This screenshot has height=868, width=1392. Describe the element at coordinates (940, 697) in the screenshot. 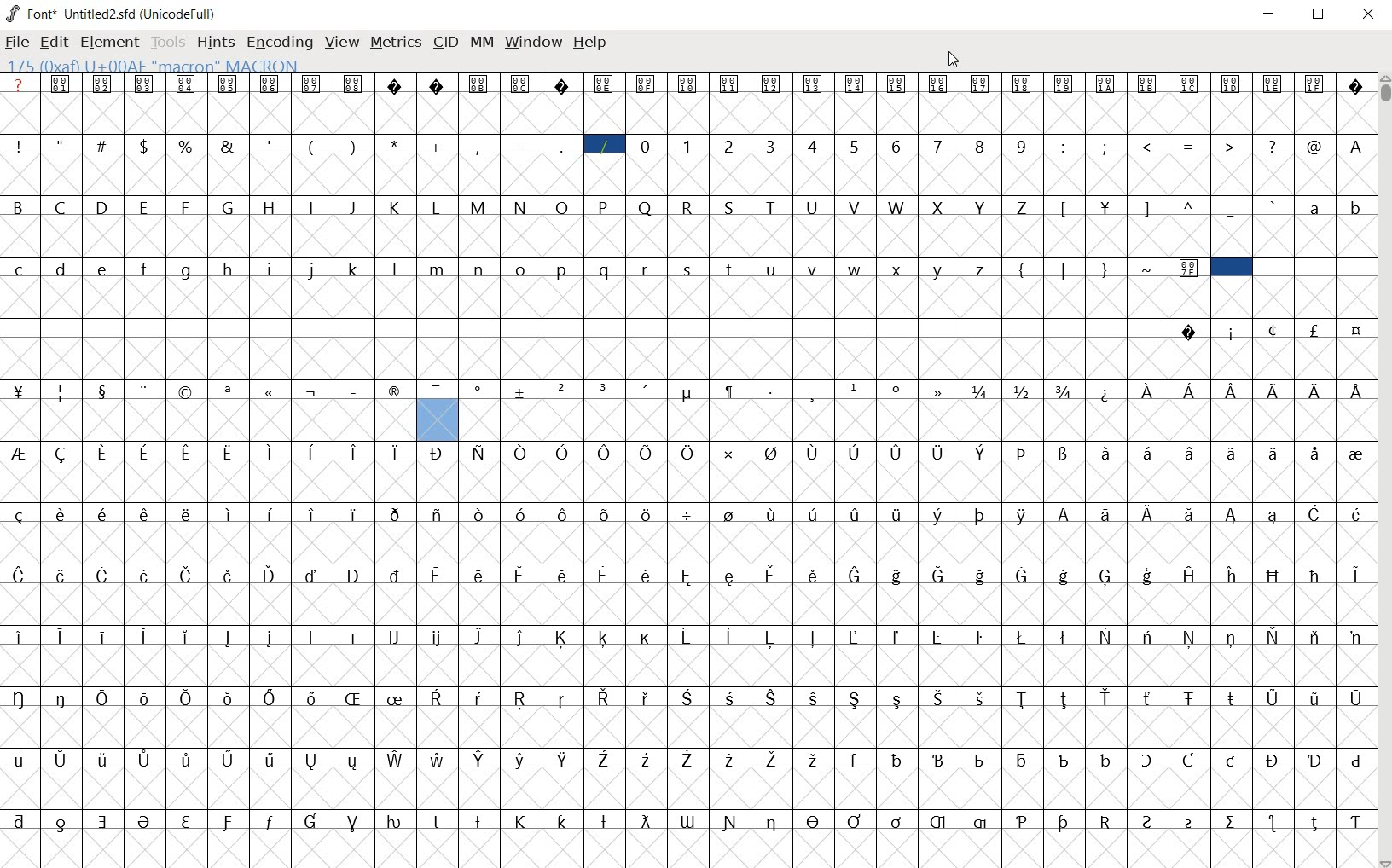

I see `Symbol` at that location.